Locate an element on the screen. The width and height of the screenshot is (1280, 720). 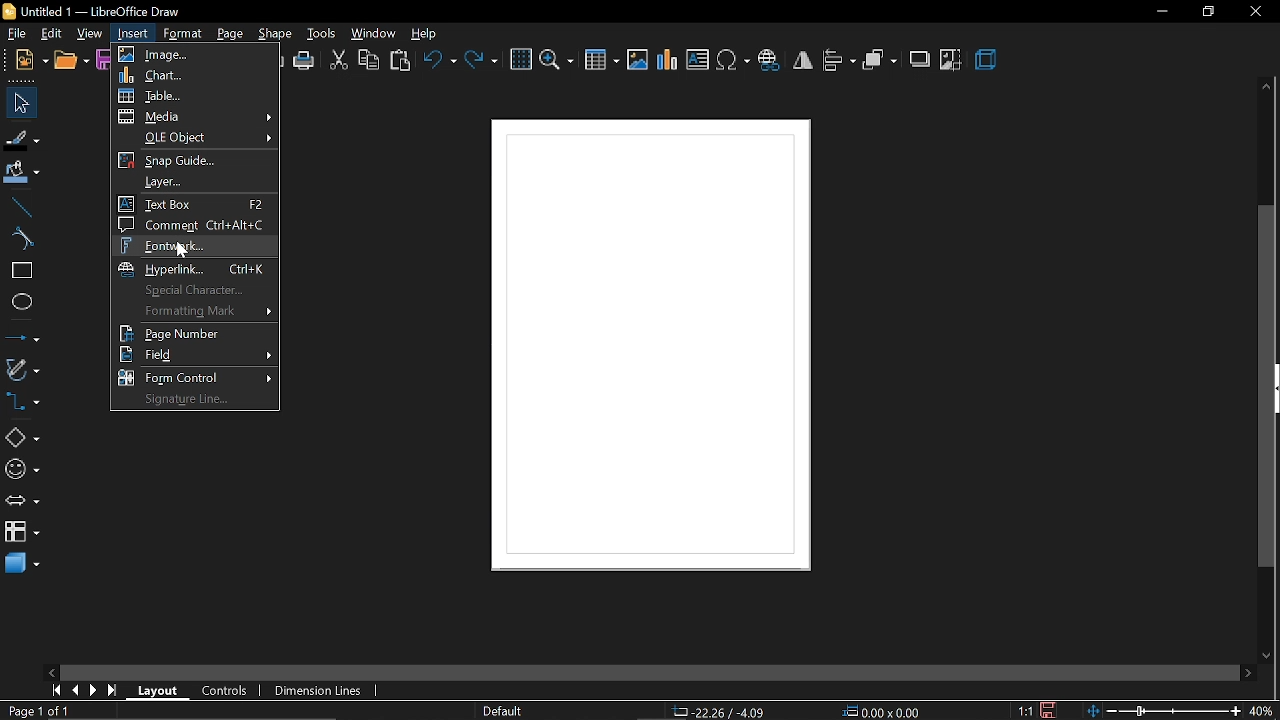
formatting mark is located at coordinates (192, 311).